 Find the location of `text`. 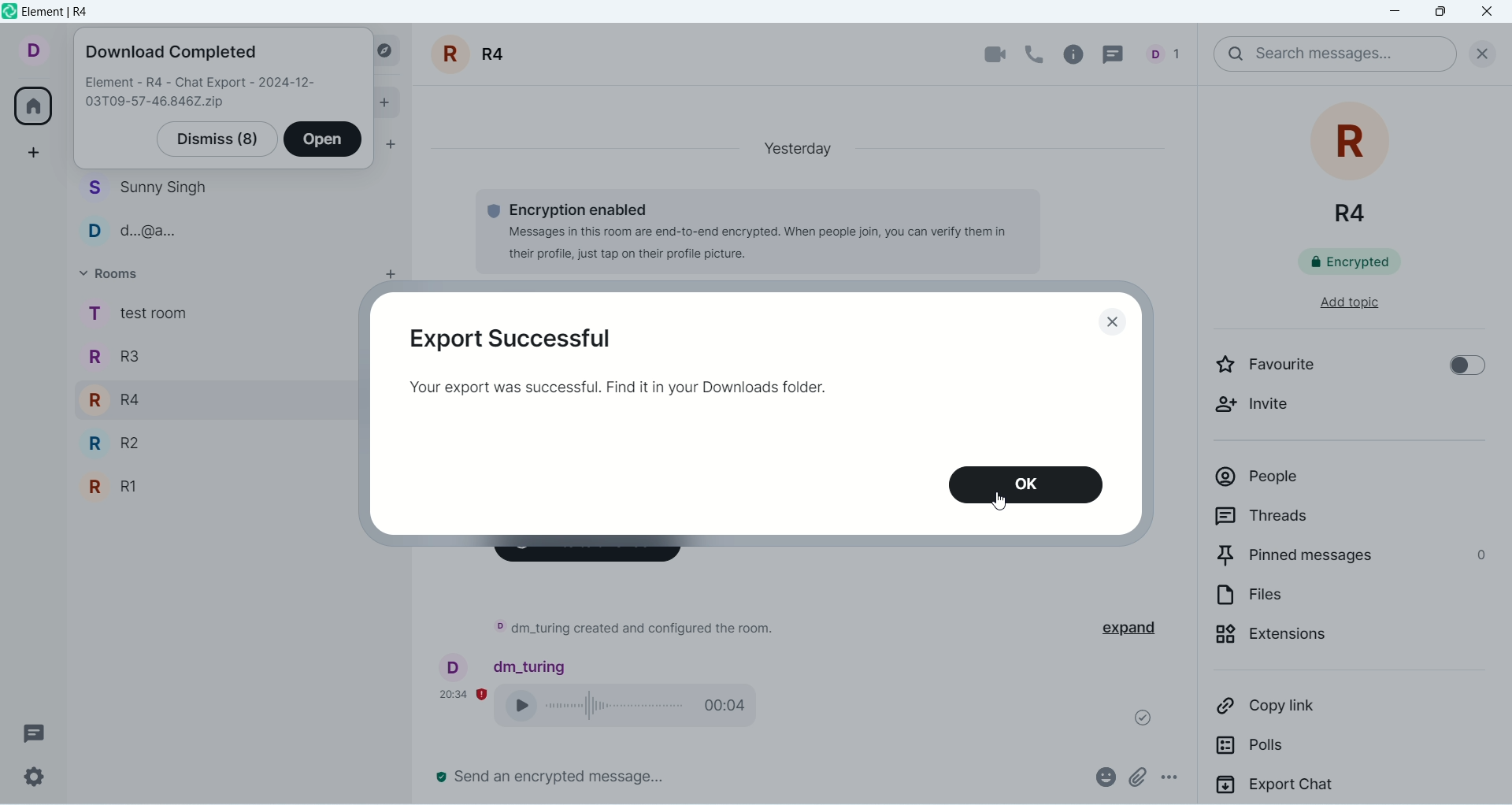

text is located at coordinates (632, 631).